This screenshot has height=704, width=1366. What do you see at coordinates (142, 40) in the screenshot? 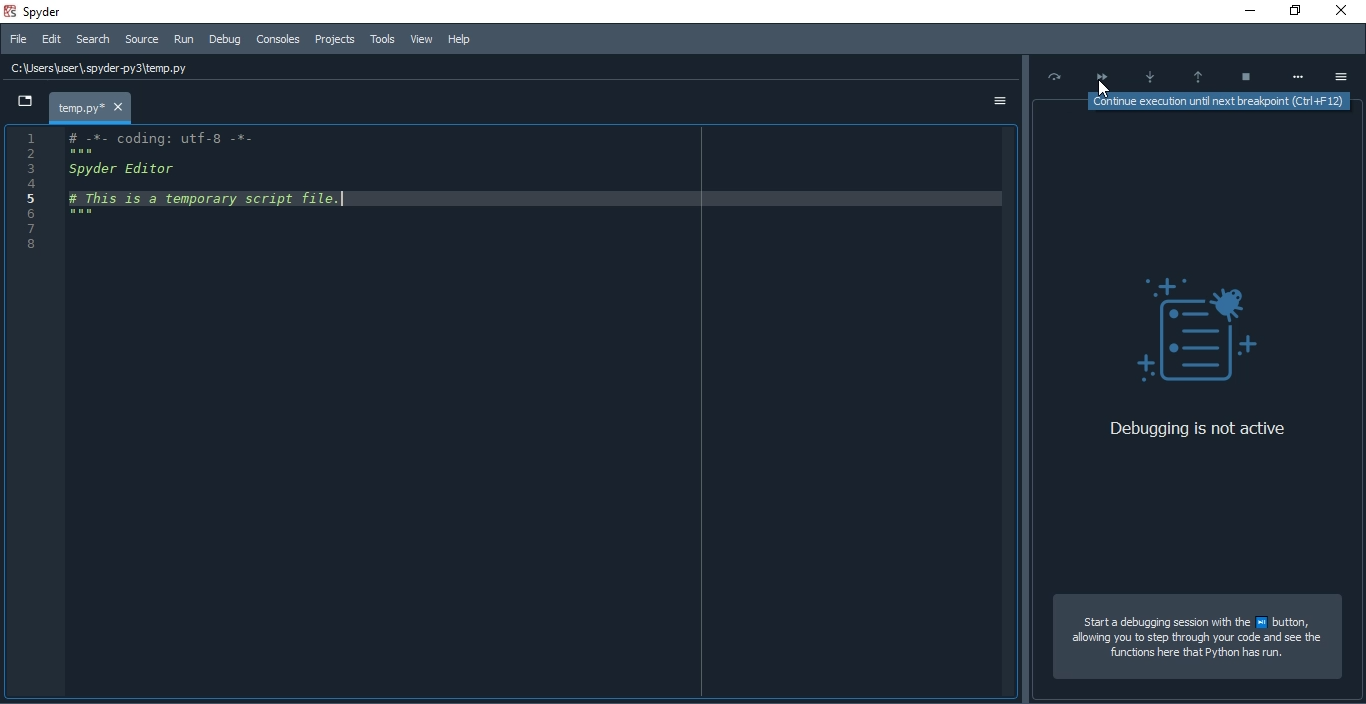
I see `Source` at bounding box center [142, 40].